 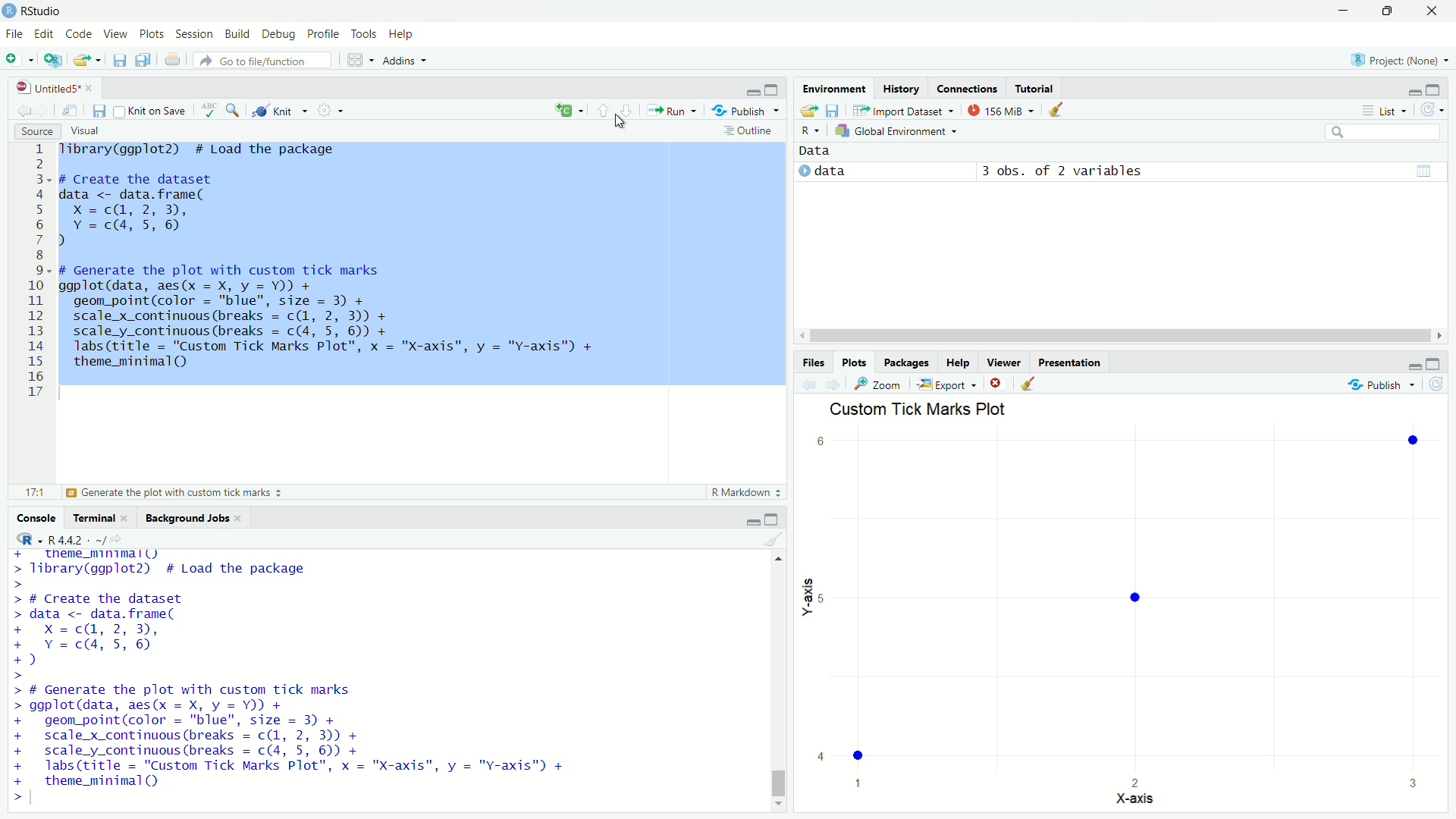 I want to click on custom tick marks plot, so click(x=930, y=409).